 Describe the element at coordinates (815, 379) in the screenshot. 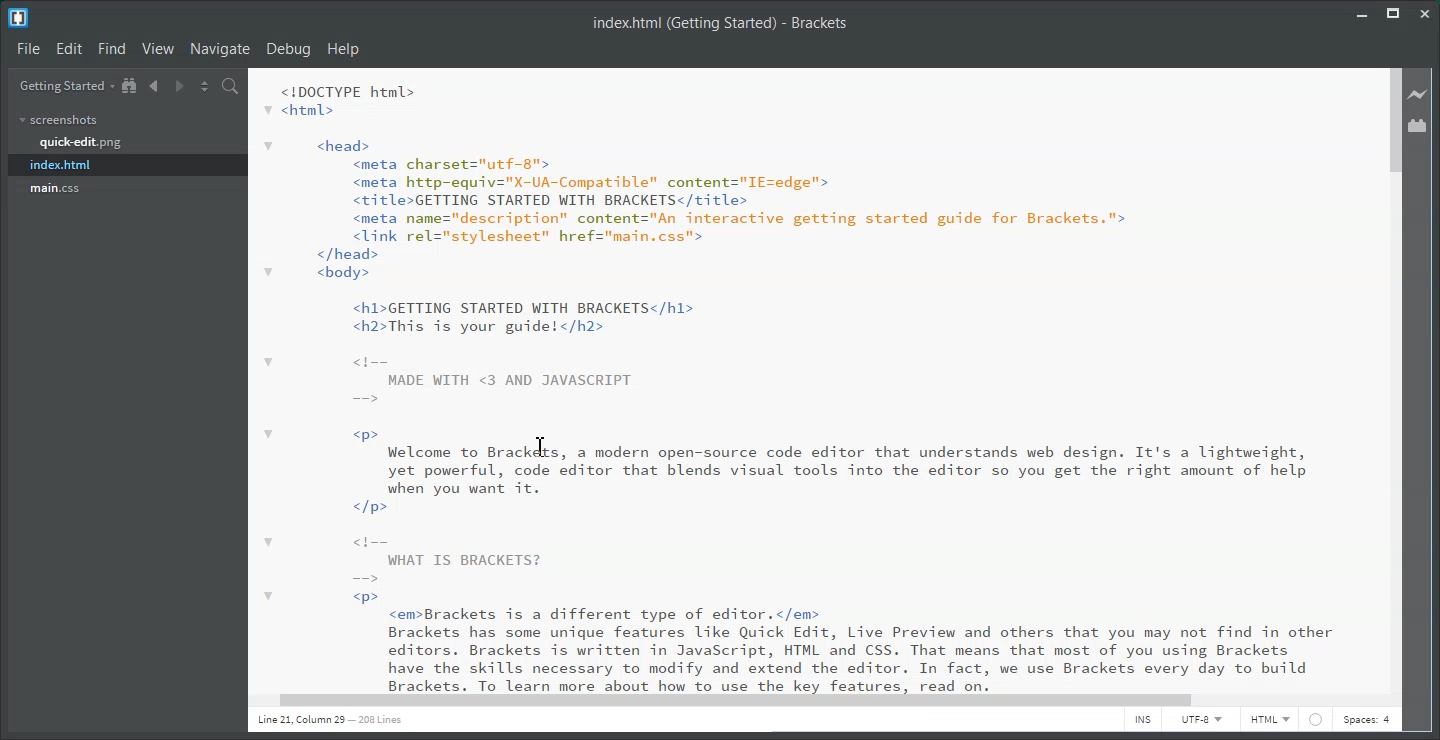

I see `code editor` at that location.